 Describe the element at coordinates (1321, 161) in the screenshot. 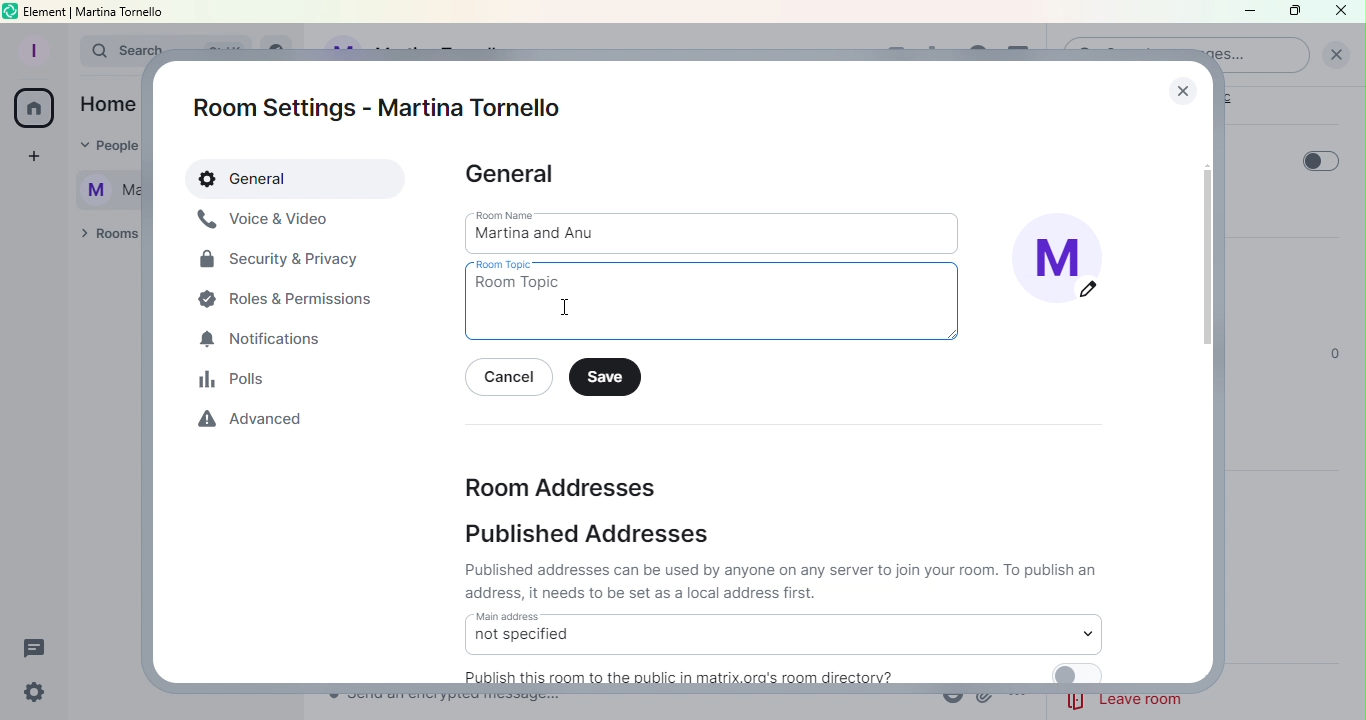

I see `Toggle` at that location.